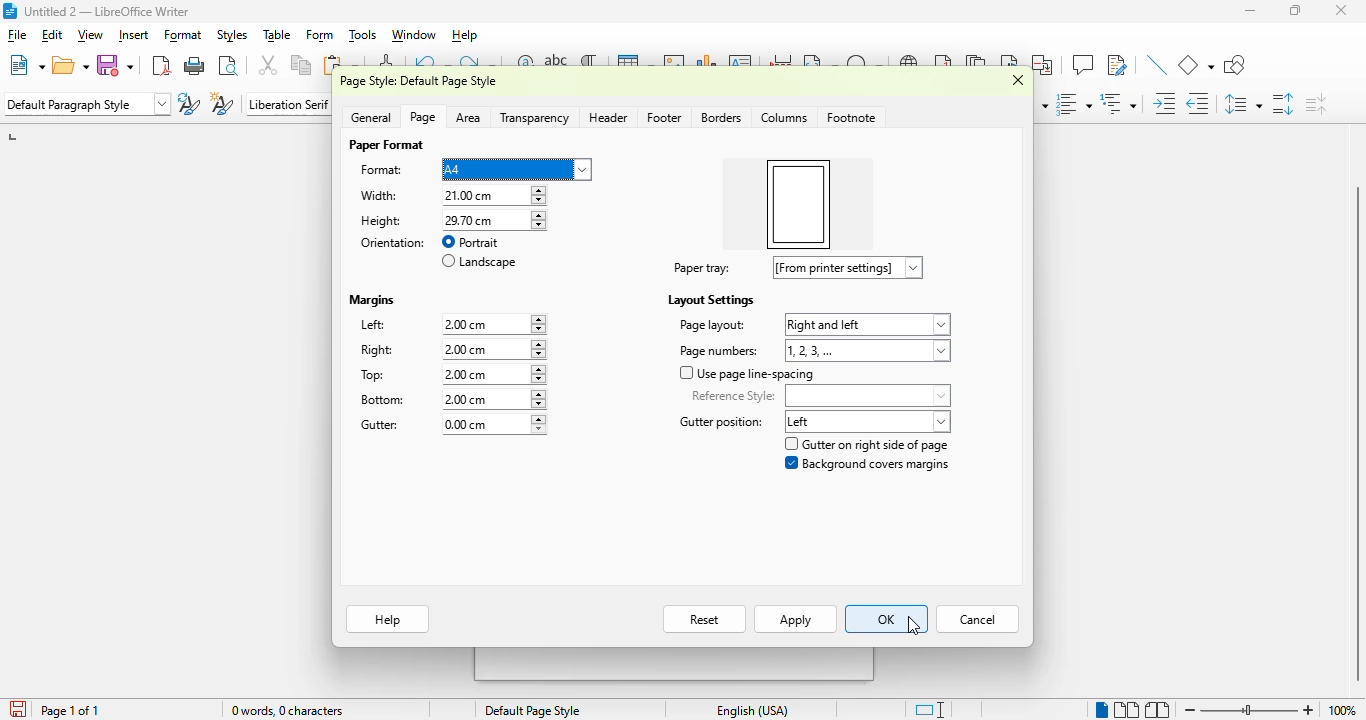 This screenshot has height=720, width=1366. What do you see at coordinates (372, 300) in the screenshot?
I see `margins` at bounding box center [372, 300].